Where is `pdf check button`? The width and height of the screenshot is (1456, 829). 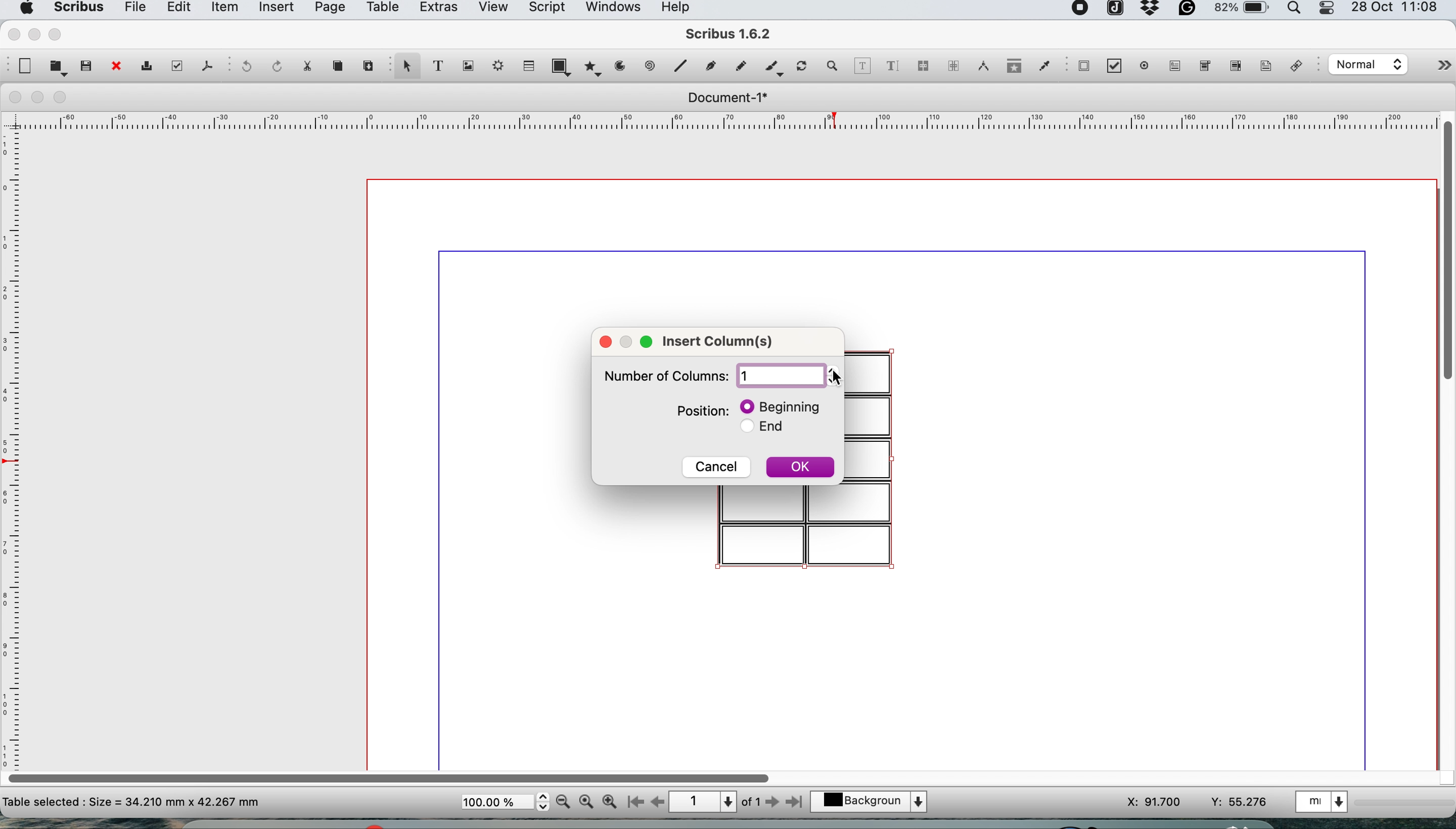
pdf check button is located at coordinates (1118, 67).